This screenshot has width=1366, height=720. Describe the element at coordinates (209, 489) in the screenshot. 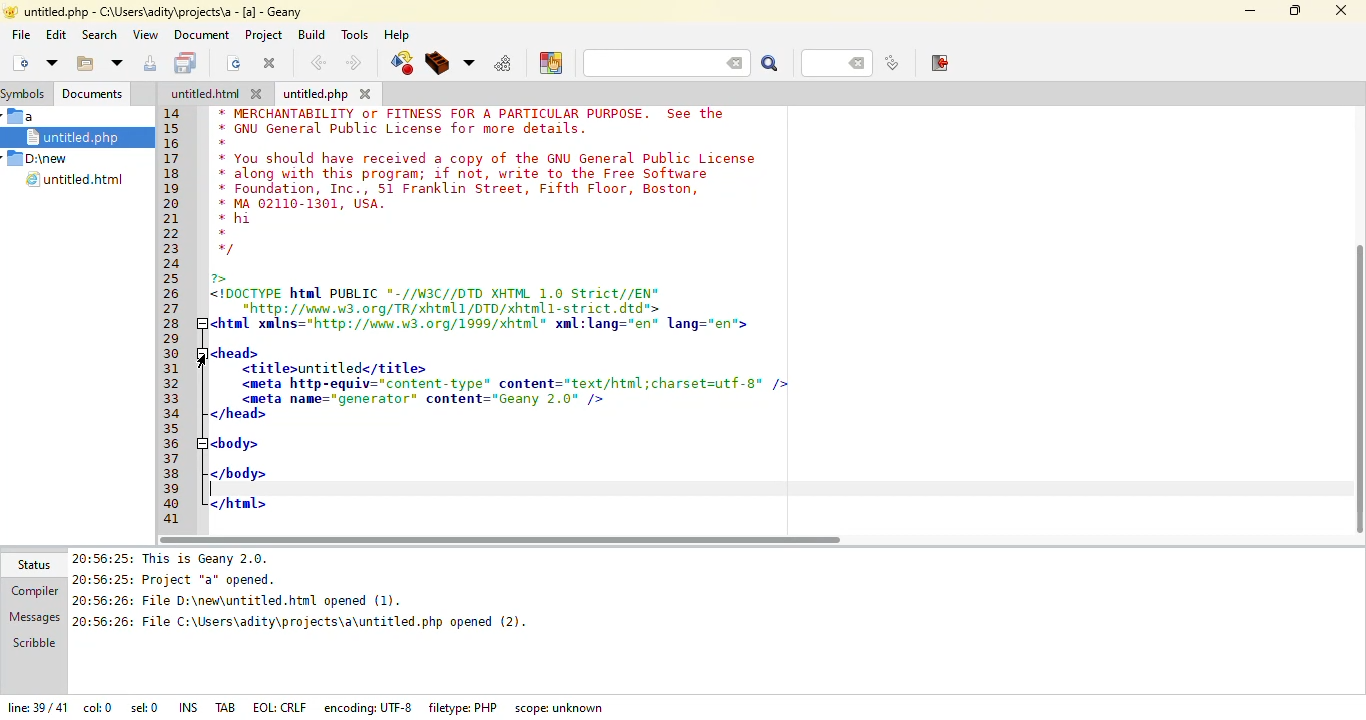

I see `text cursor` at that location.